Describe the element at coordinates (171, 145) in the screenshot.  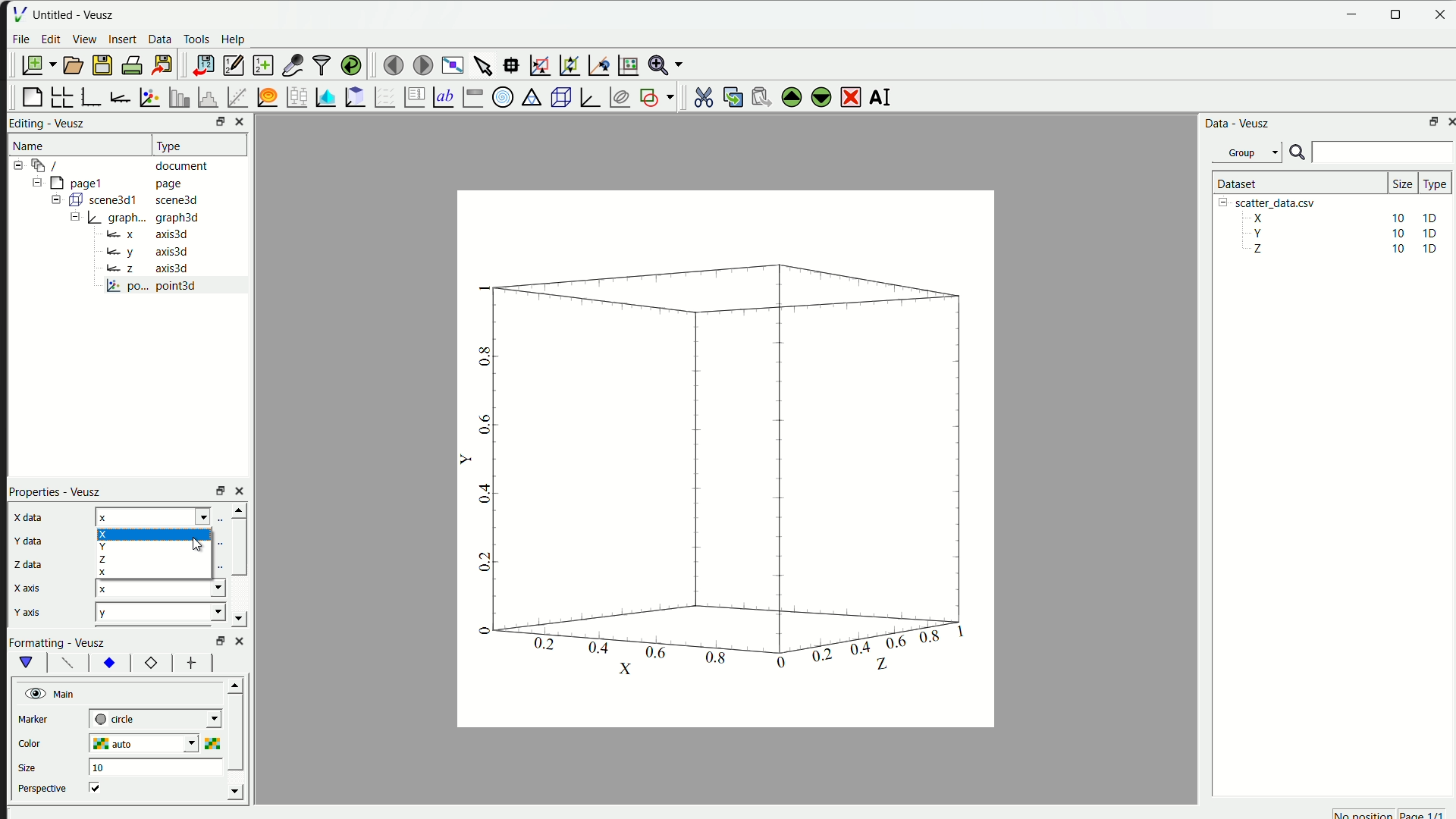
I see `| Type` at that location.